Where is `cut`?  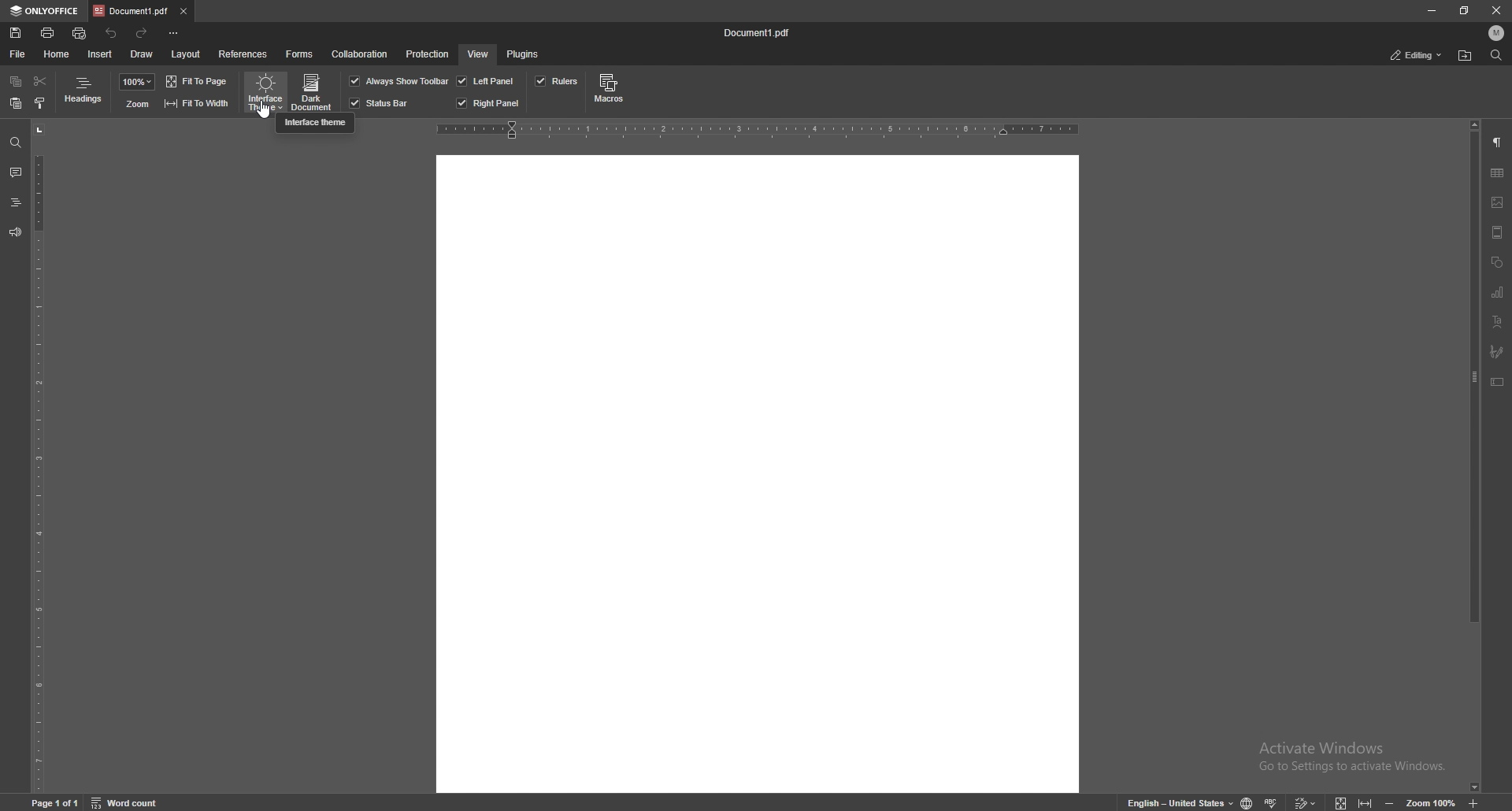
cut is located at coordinates (40, 82).